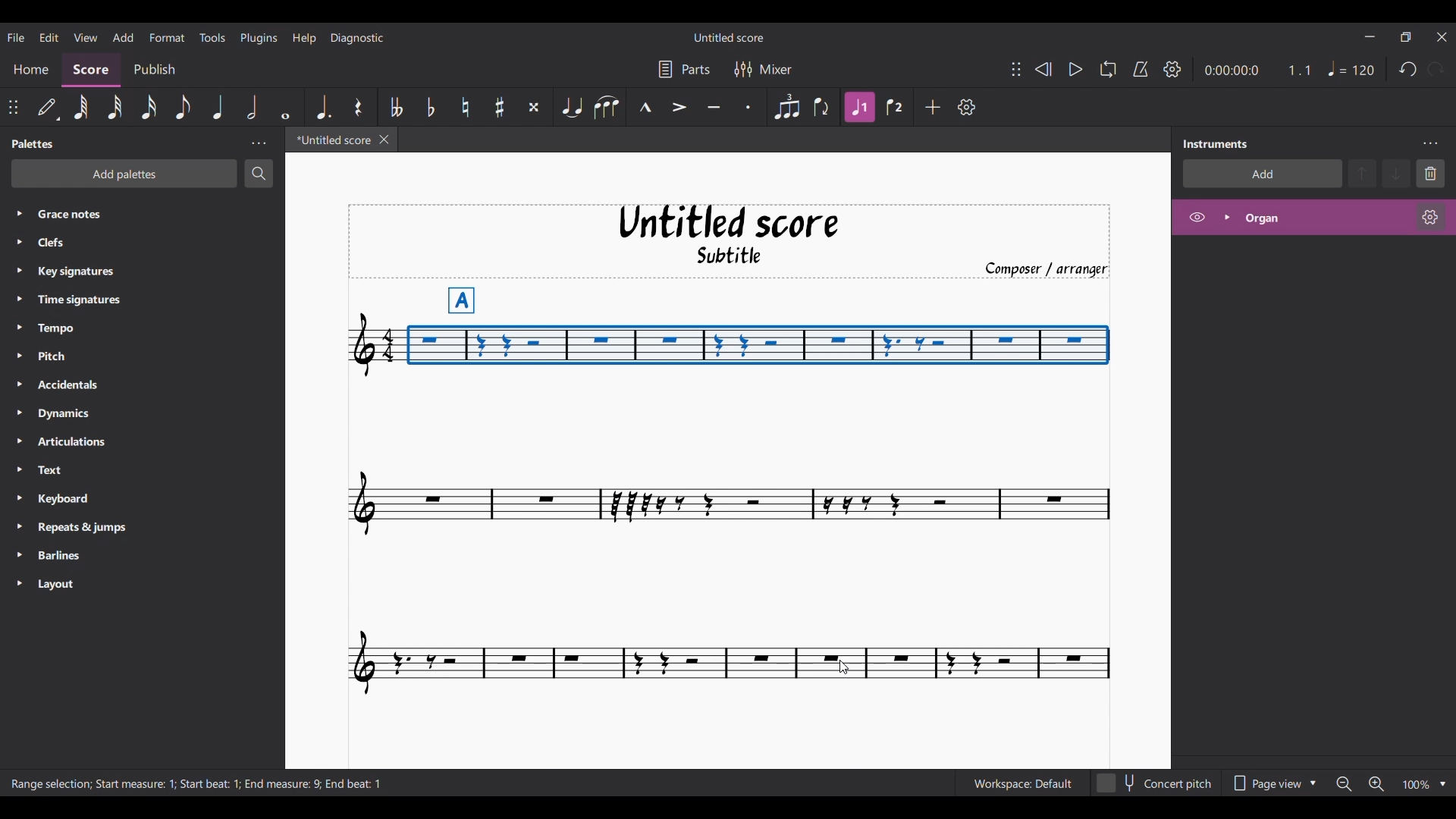 The width and height of the screenshot is (1456, 819). I want to click on Portion of composition selected, so click(758, 344).